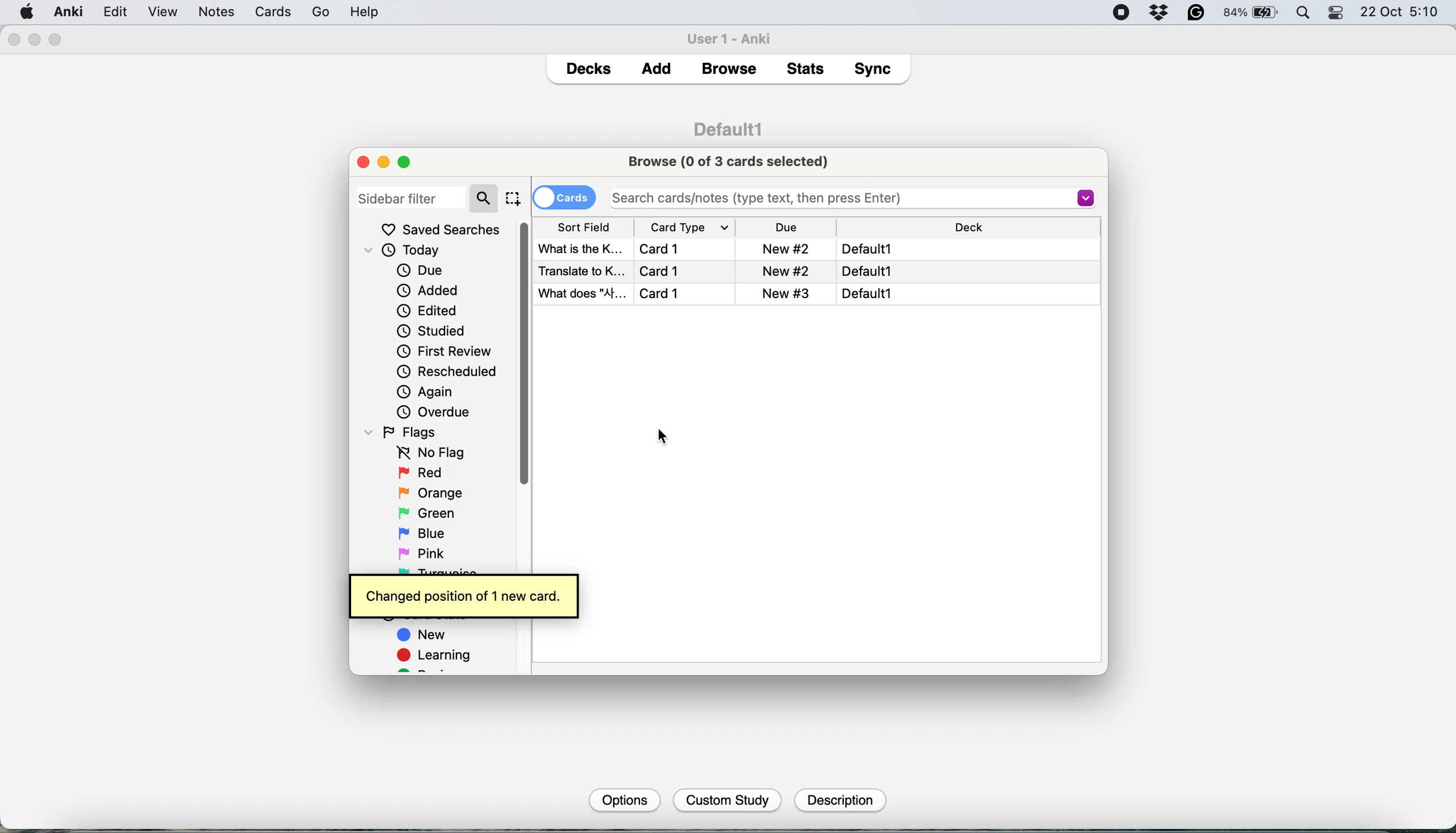  Describe the element at coordinates (871, 270) in the screenshot. I see `Default1` at that location.